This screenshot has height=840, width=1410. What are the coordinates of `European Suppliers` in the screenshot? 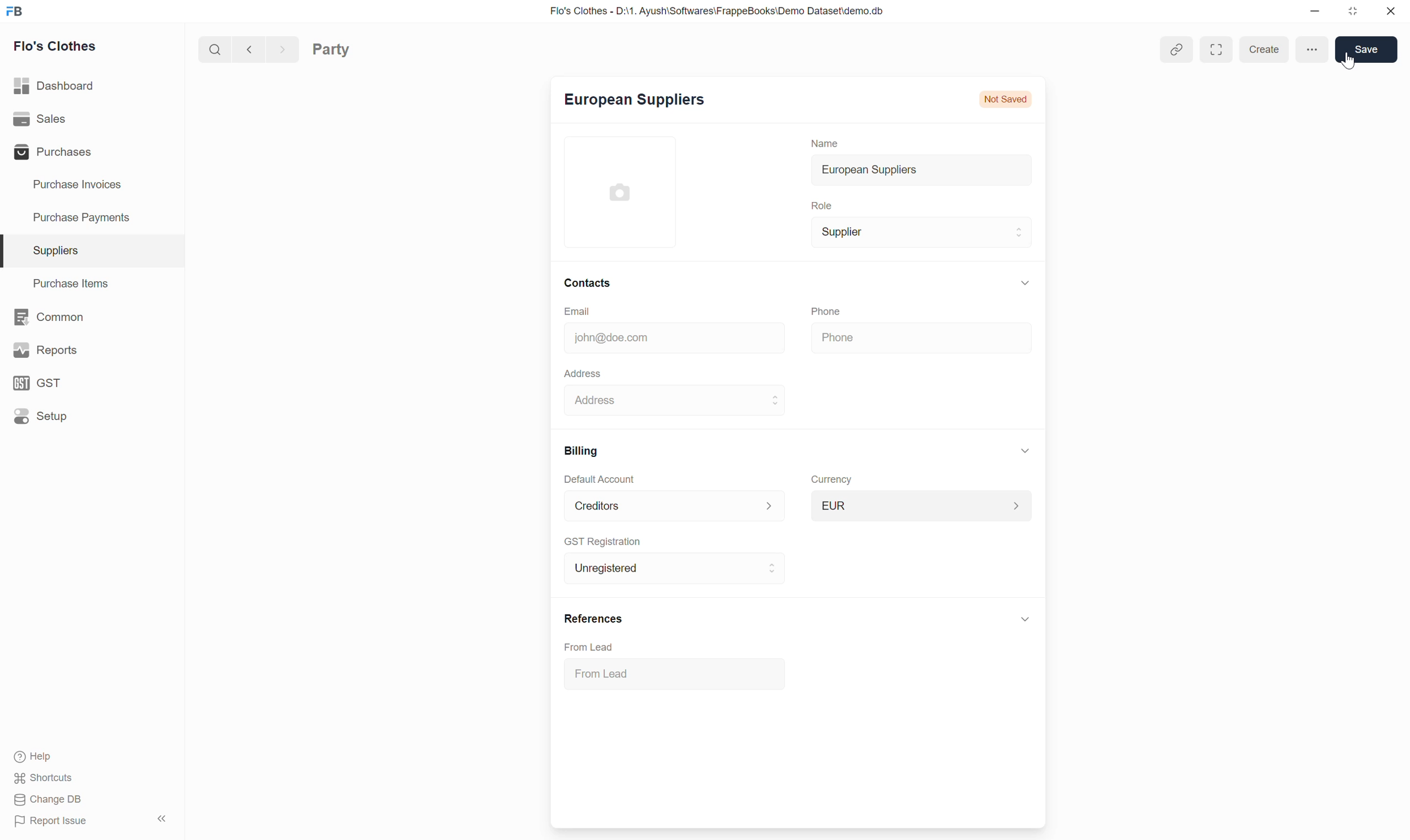 It's located at (630, 102).